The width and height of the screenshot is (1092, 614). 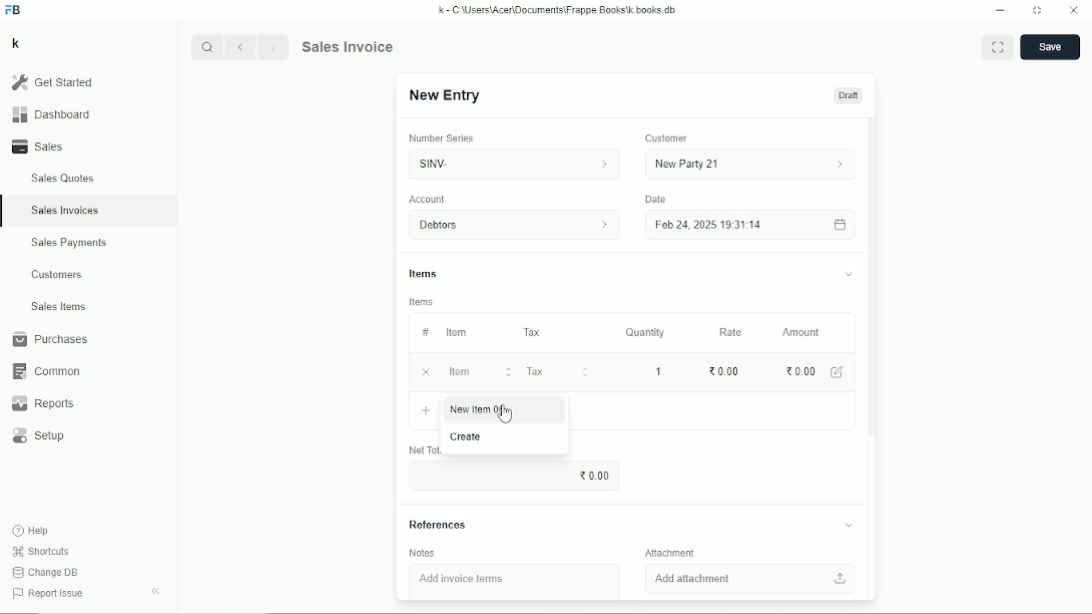 I want to click on Notes, so click(x=423, y=553).